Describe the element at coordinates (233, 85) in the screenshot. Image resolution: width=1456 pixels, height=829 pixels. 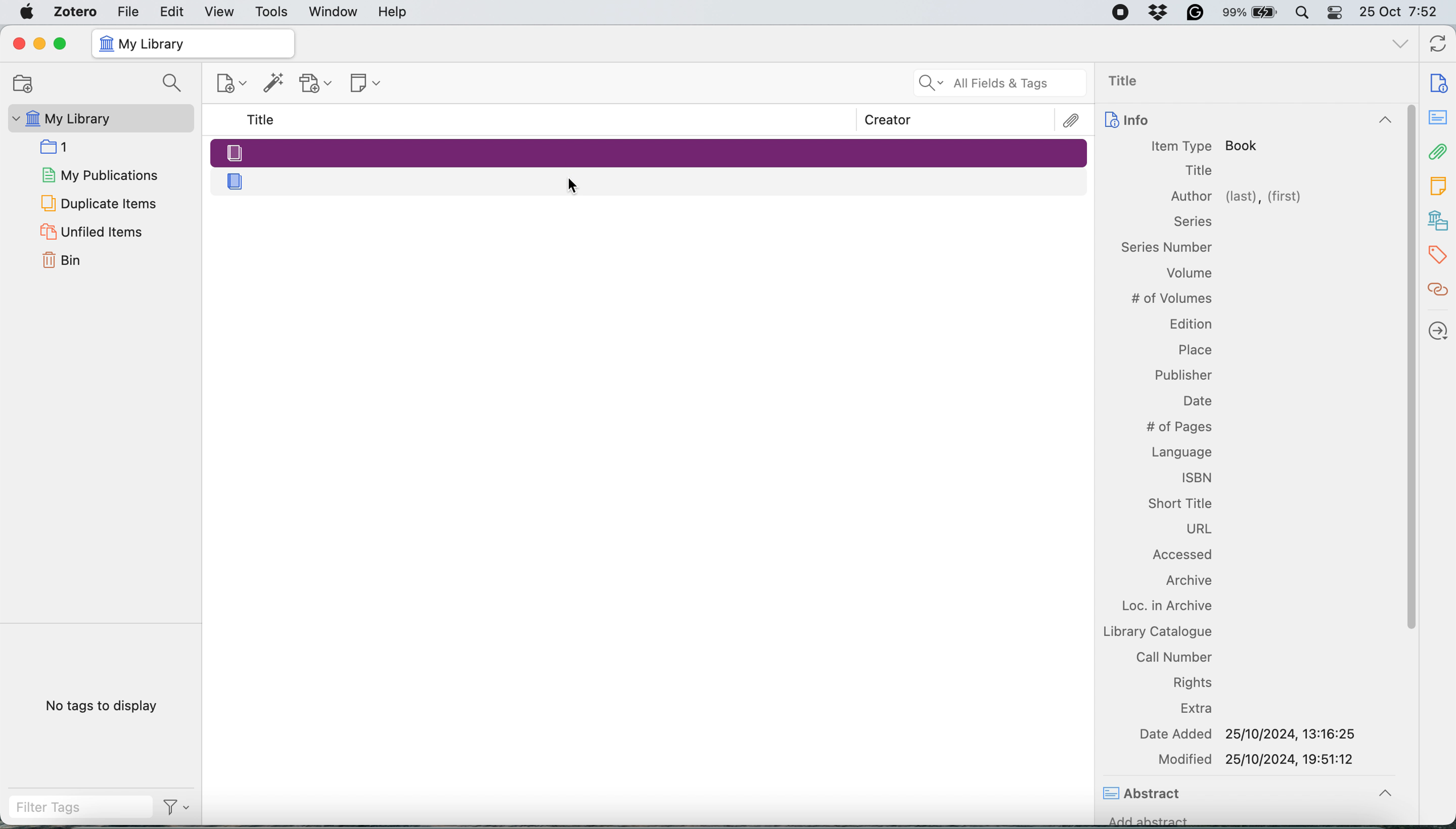
I see `New Item` at that location.